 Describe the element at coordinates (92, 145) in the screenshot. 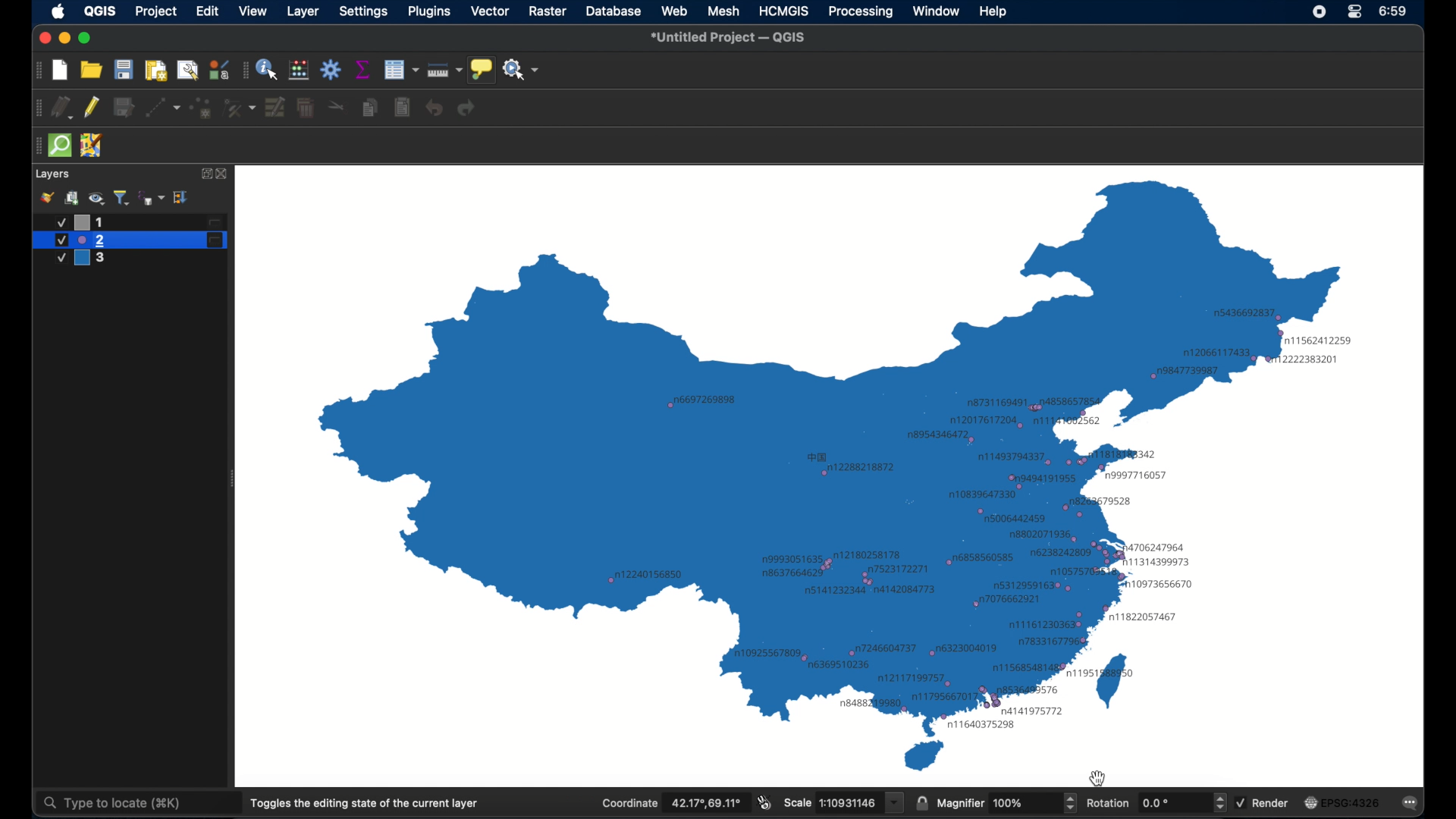

I see `jsom remote` at that location.